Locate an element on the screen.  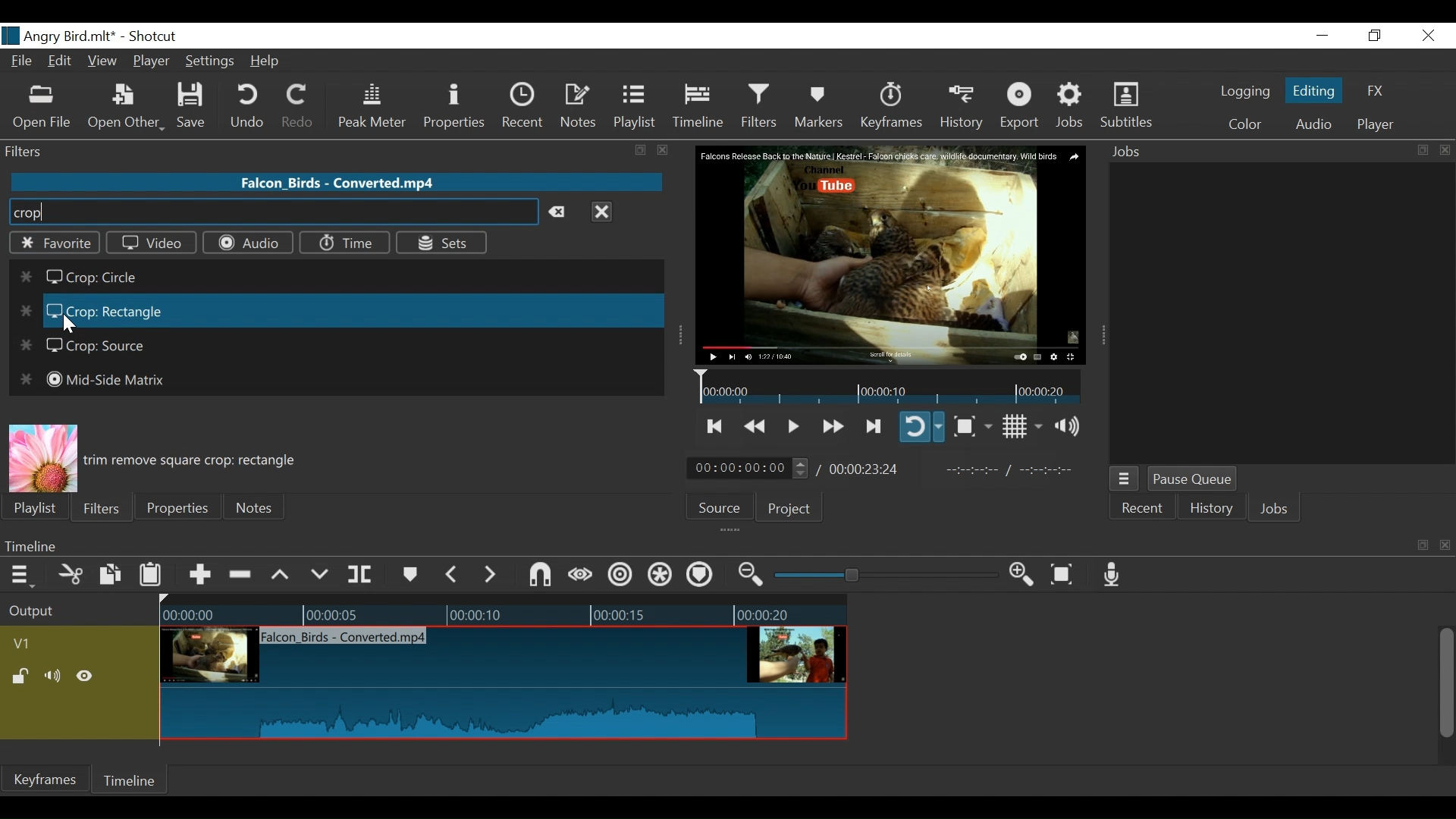
File Name is located at coordinates (24, 63).